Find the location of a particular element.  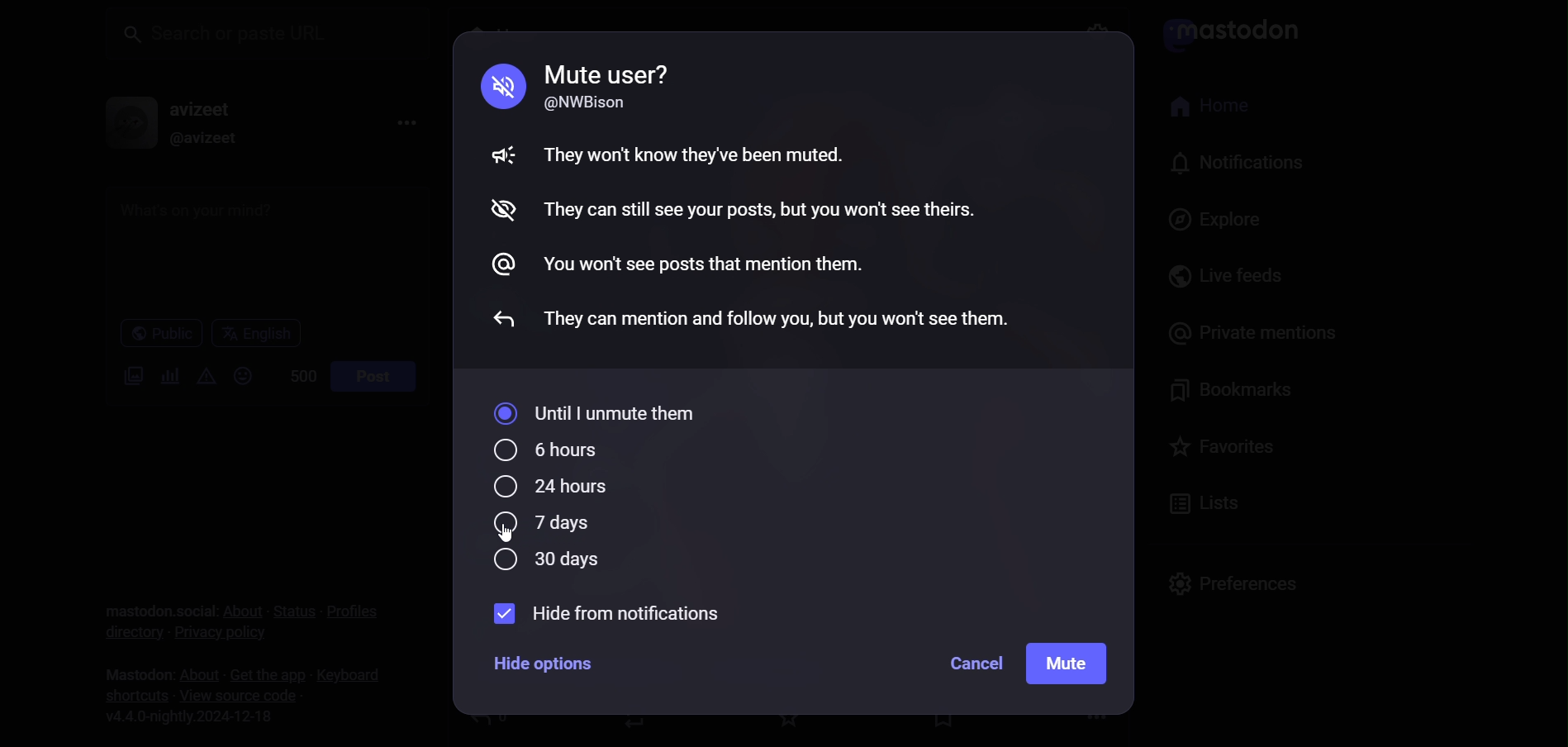

hide from notification is located at coordinates (612, 617).